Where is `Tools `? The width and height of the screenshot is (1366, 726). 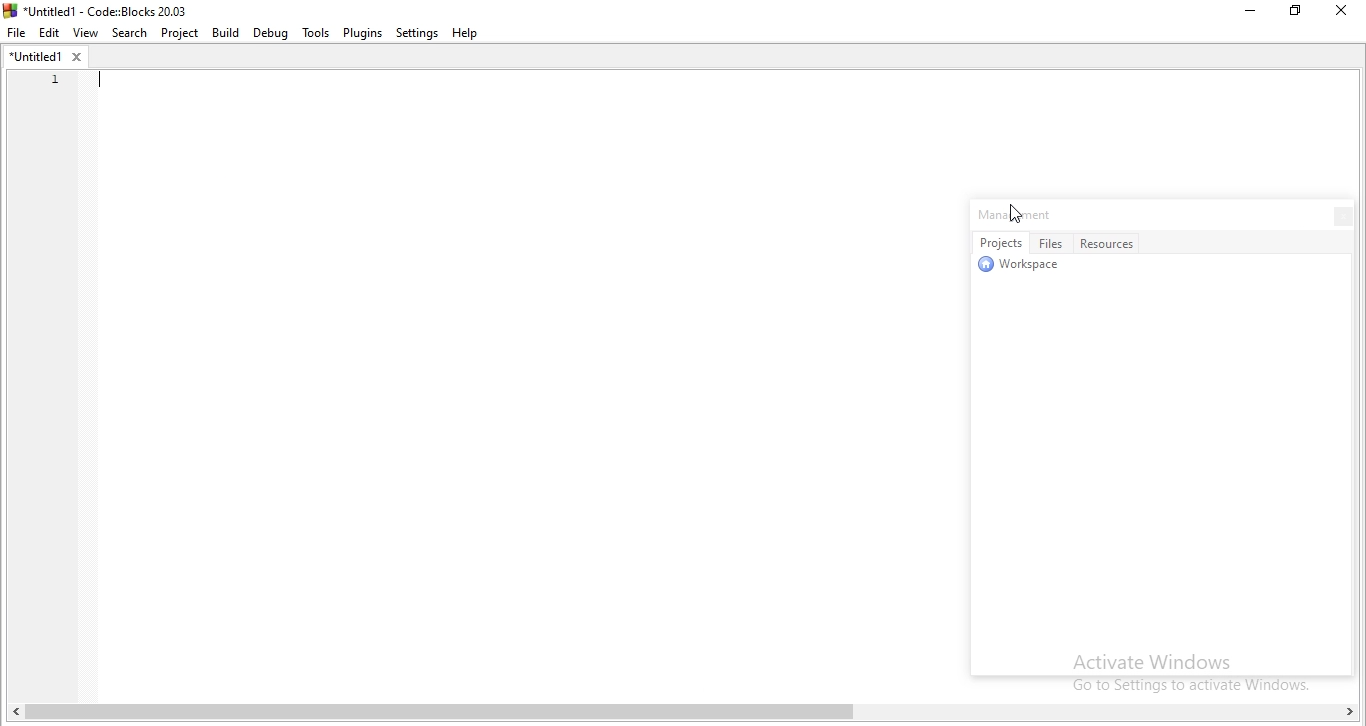 Tools  is located at coordinates (314, 33).